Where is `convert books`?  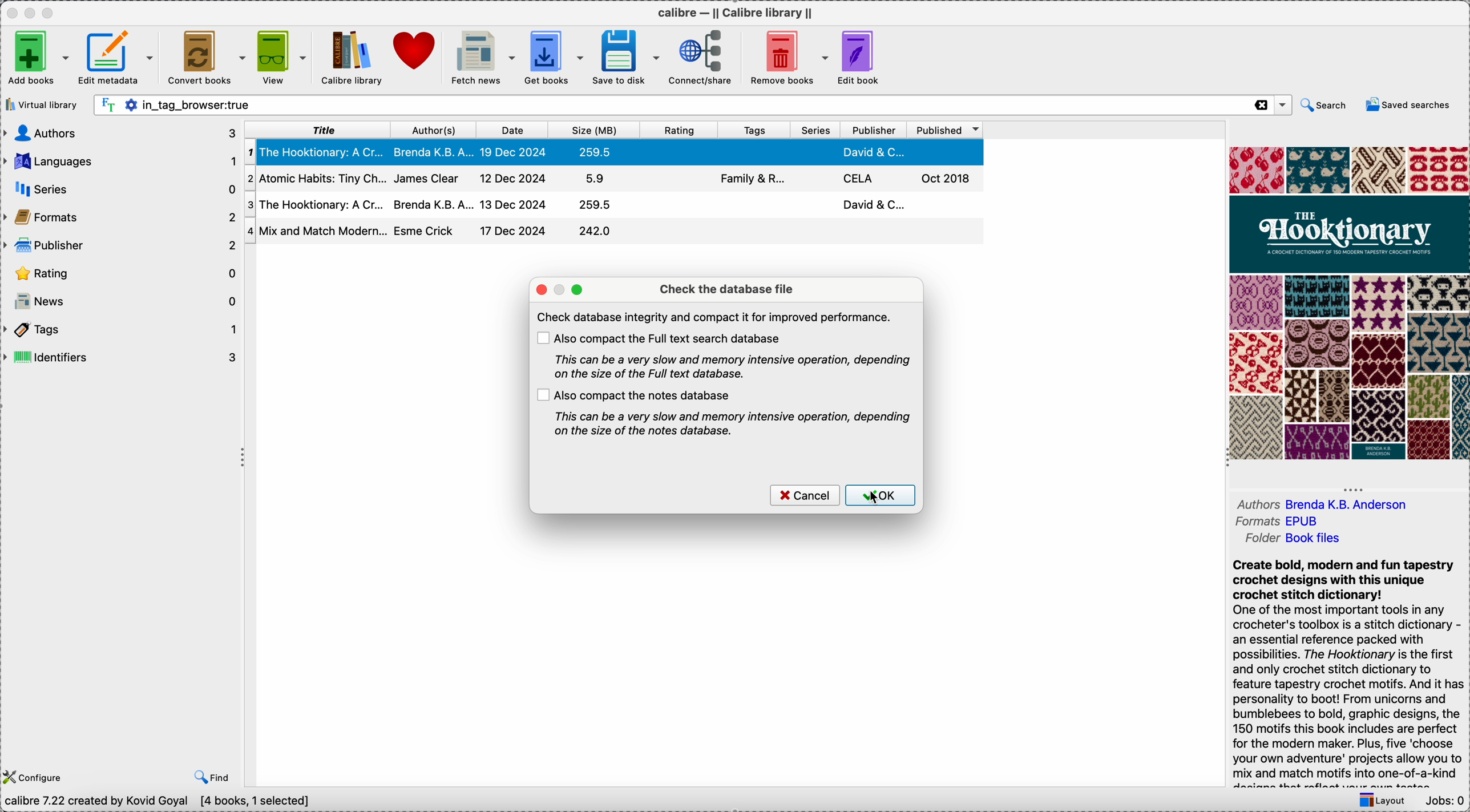 convert books is located at coordinates (207, 57).